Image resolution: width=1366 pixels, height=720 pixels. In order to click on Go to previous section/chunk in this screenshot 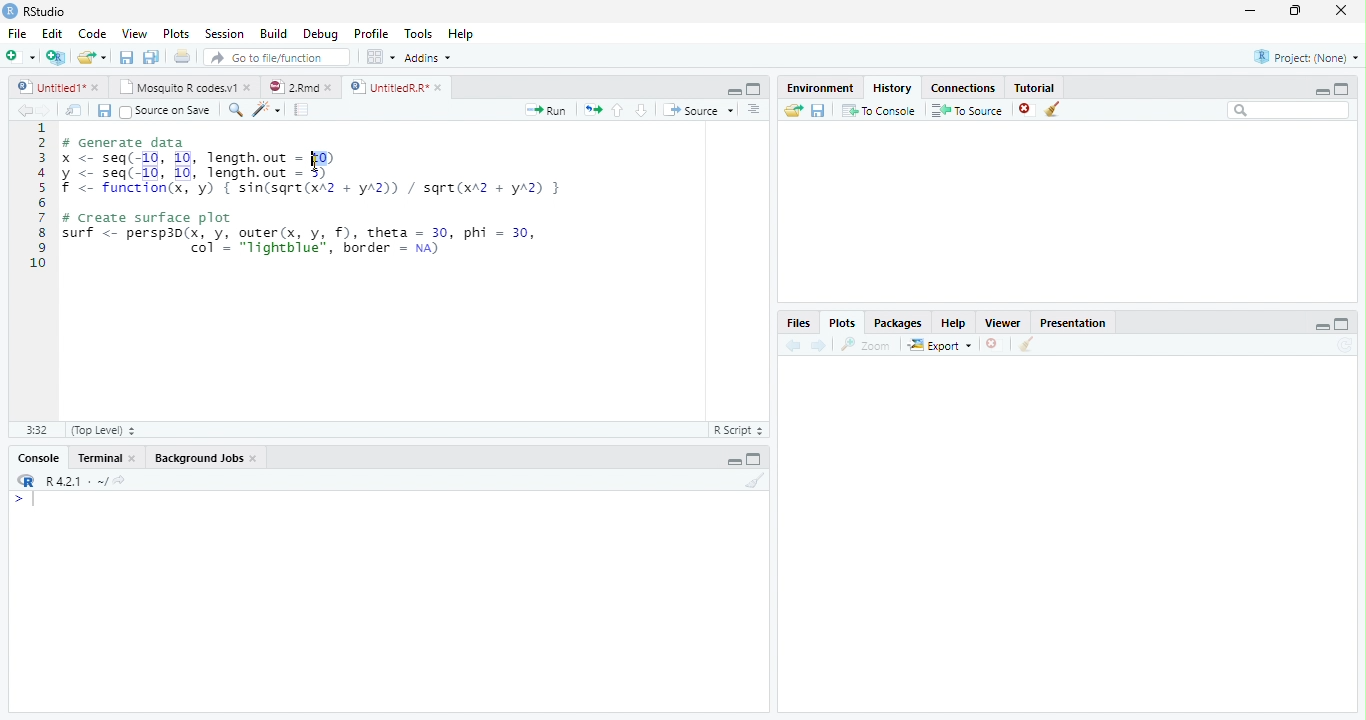, I will do `click(617, 110)`.